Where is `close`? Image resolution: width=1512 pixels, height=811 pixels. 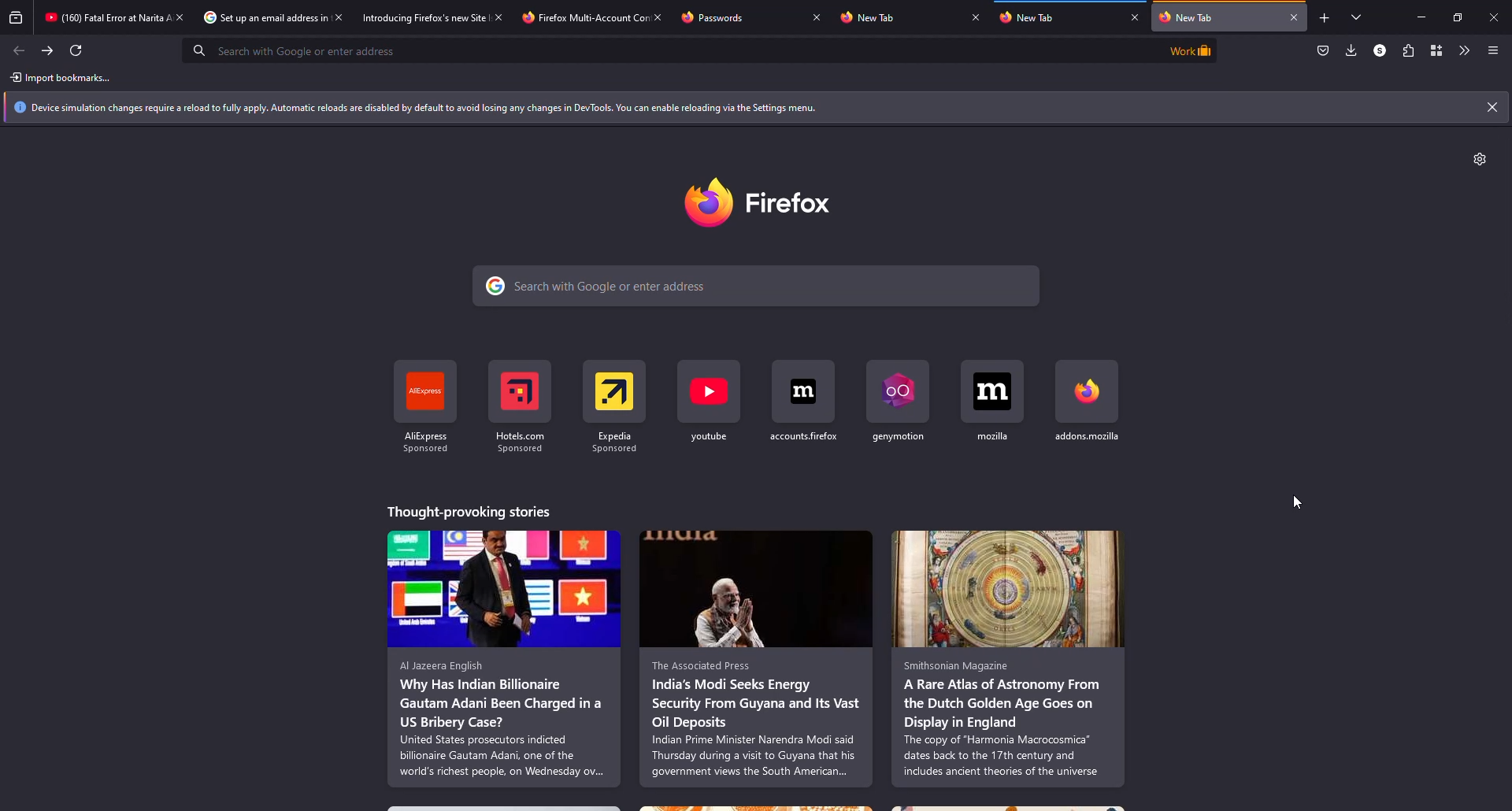
close is located at coordinates (817, 17).